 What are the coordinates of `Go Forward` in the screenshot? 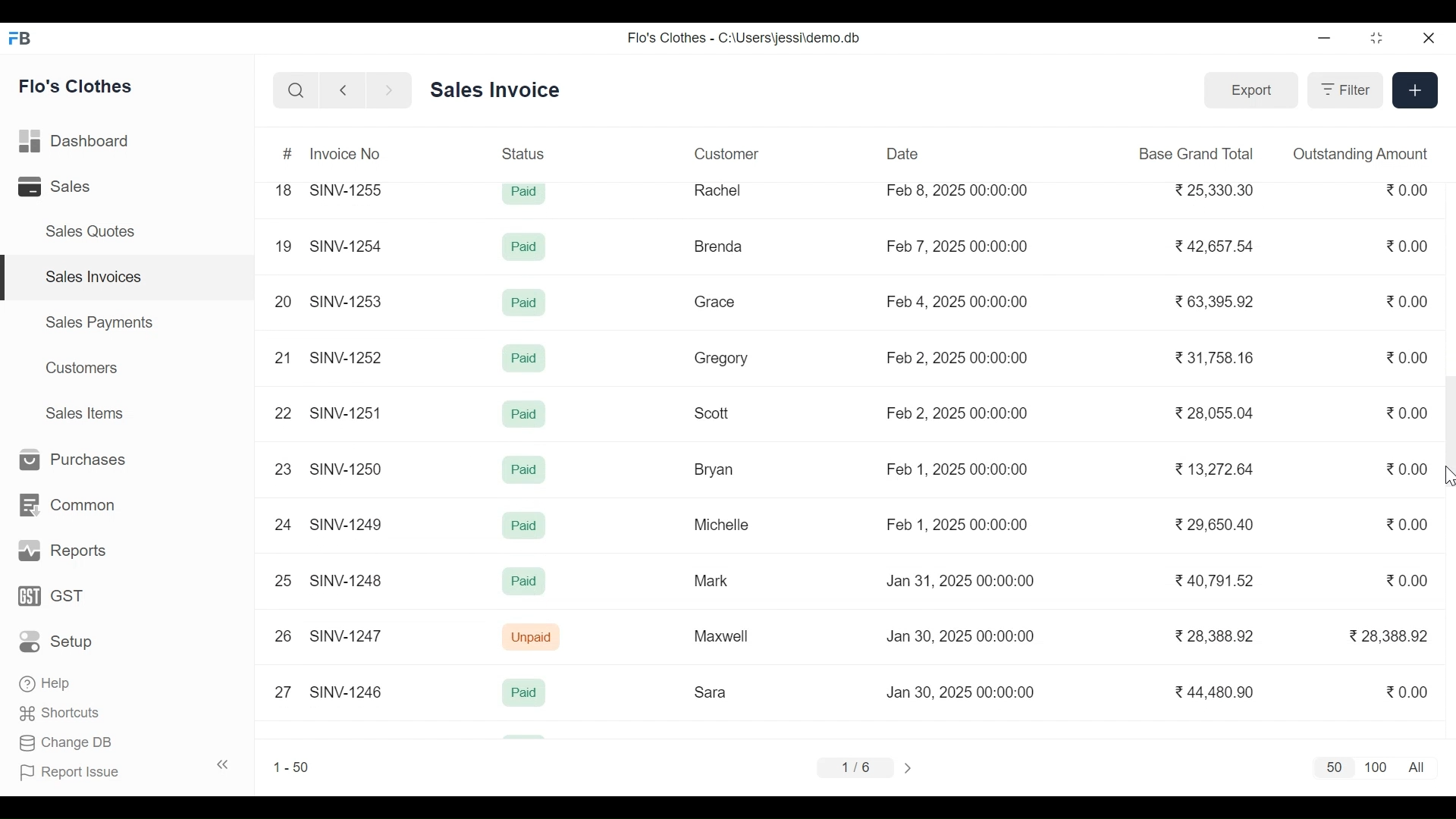 It's located at (385, 91).